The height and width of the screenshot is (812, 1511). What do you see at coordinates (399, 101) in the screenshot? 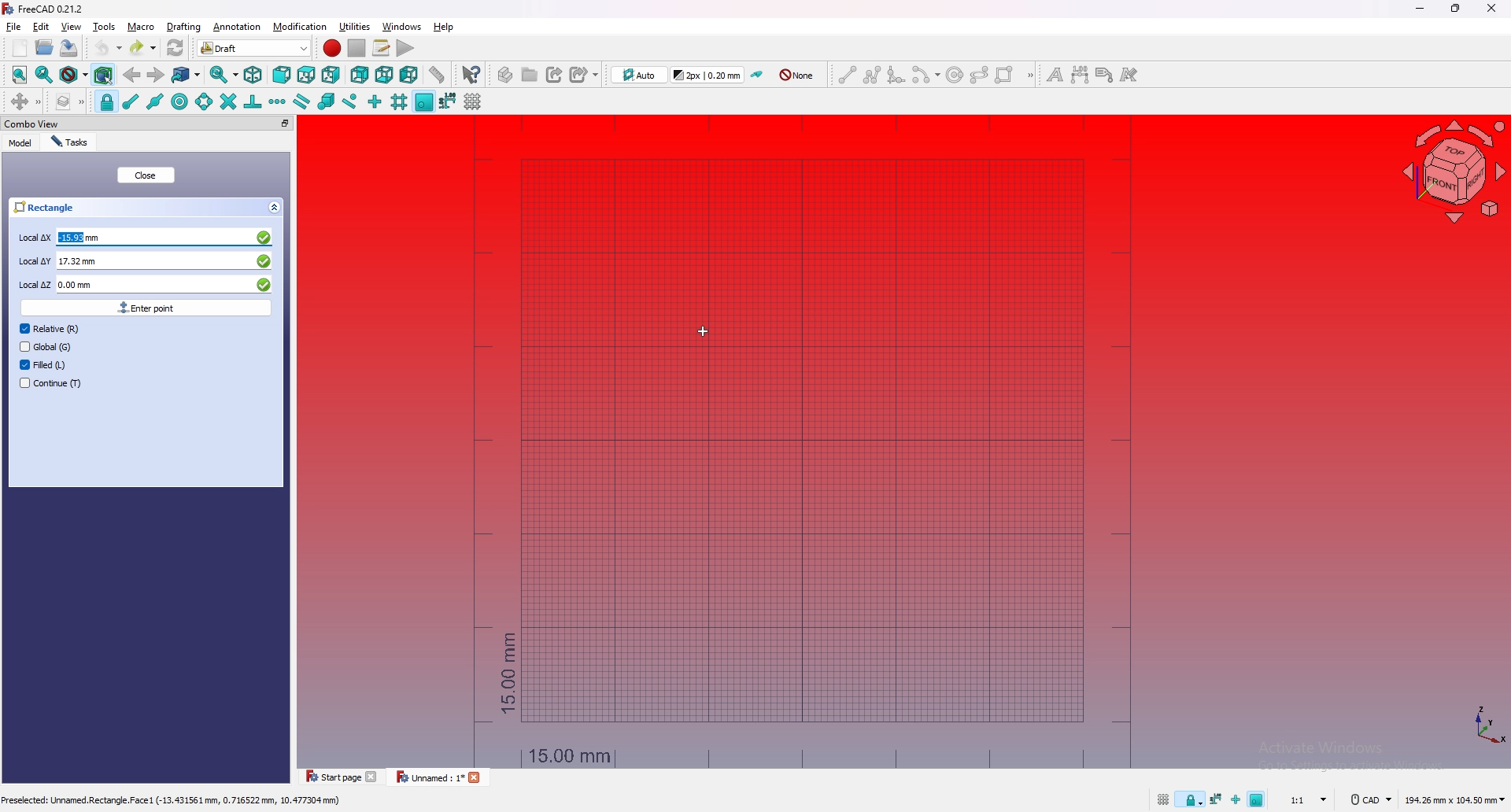
I see `snap grid` at bounding box center [399, 101].